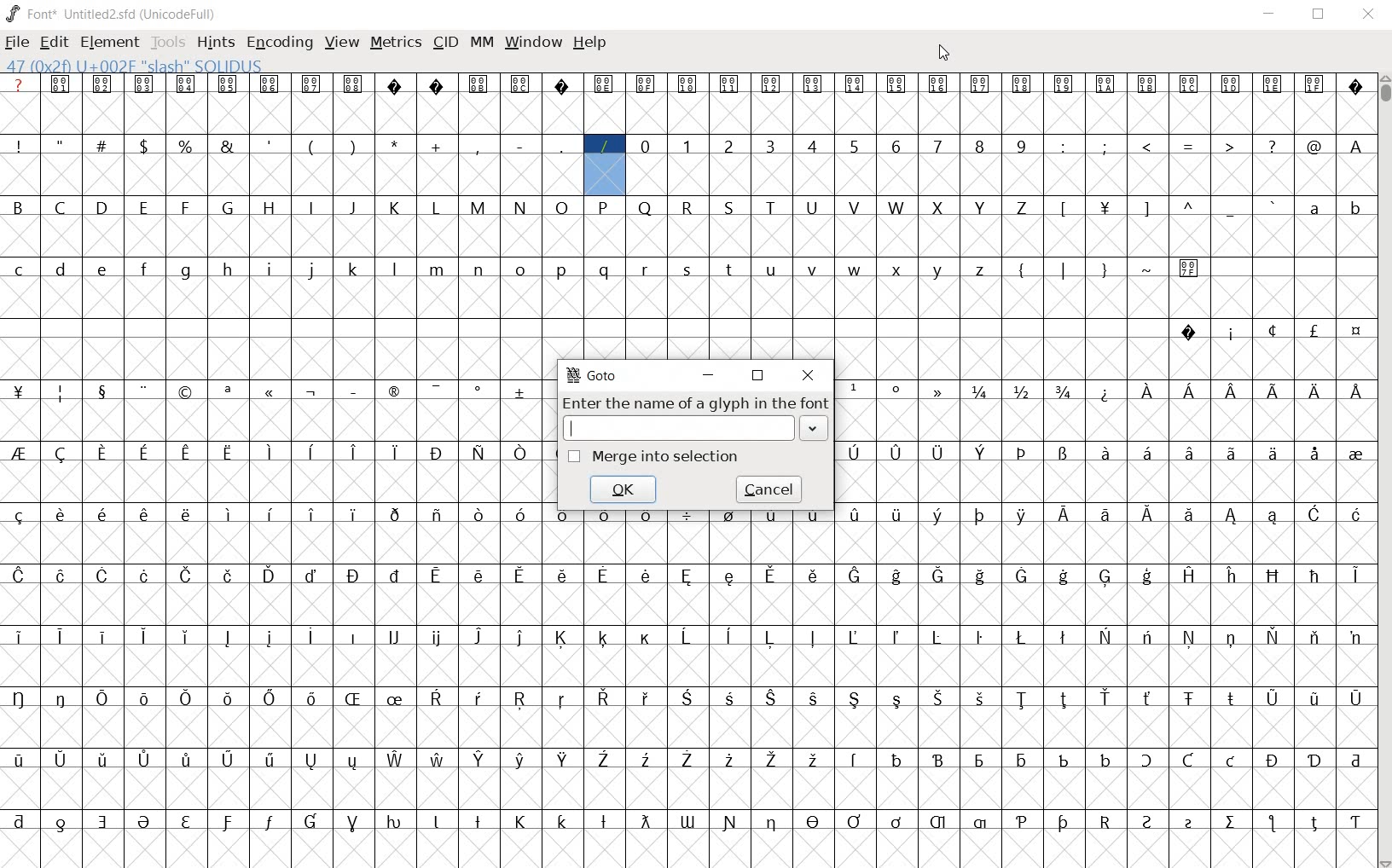 This screenshot has width=1392, height=868. I want to click on glyph, so click(1022, 637).